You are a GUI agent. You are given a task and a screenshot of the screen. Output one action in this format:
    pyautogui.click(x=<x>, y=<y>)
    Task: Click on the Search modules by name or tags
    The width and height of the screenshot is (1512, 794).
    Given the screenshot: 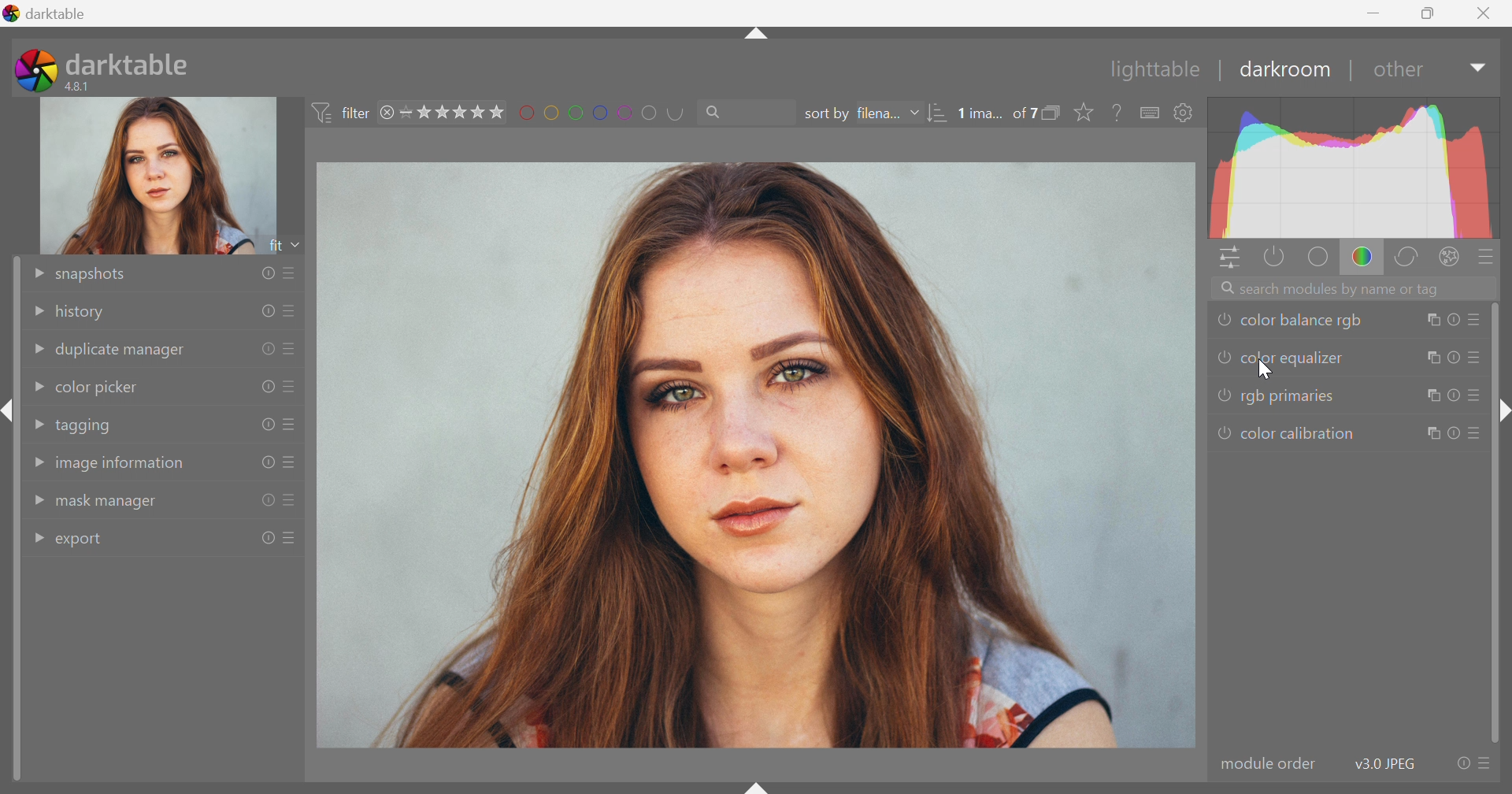 What is the action you would take?
    pyautogui.click(x=1331, y=288)
    